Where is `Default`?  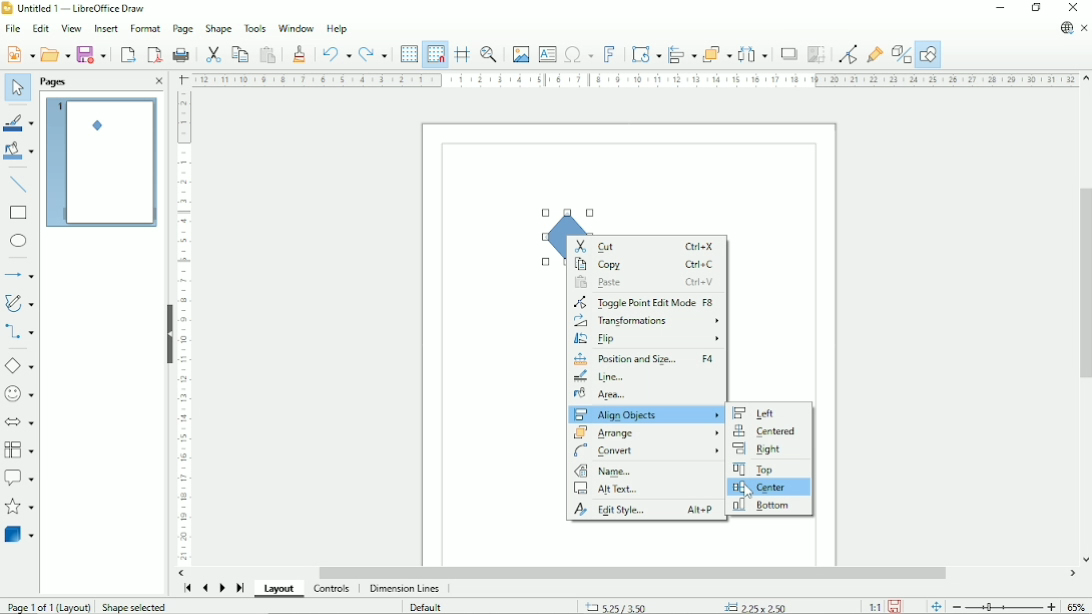 Default is located at coordinates (427, 607).